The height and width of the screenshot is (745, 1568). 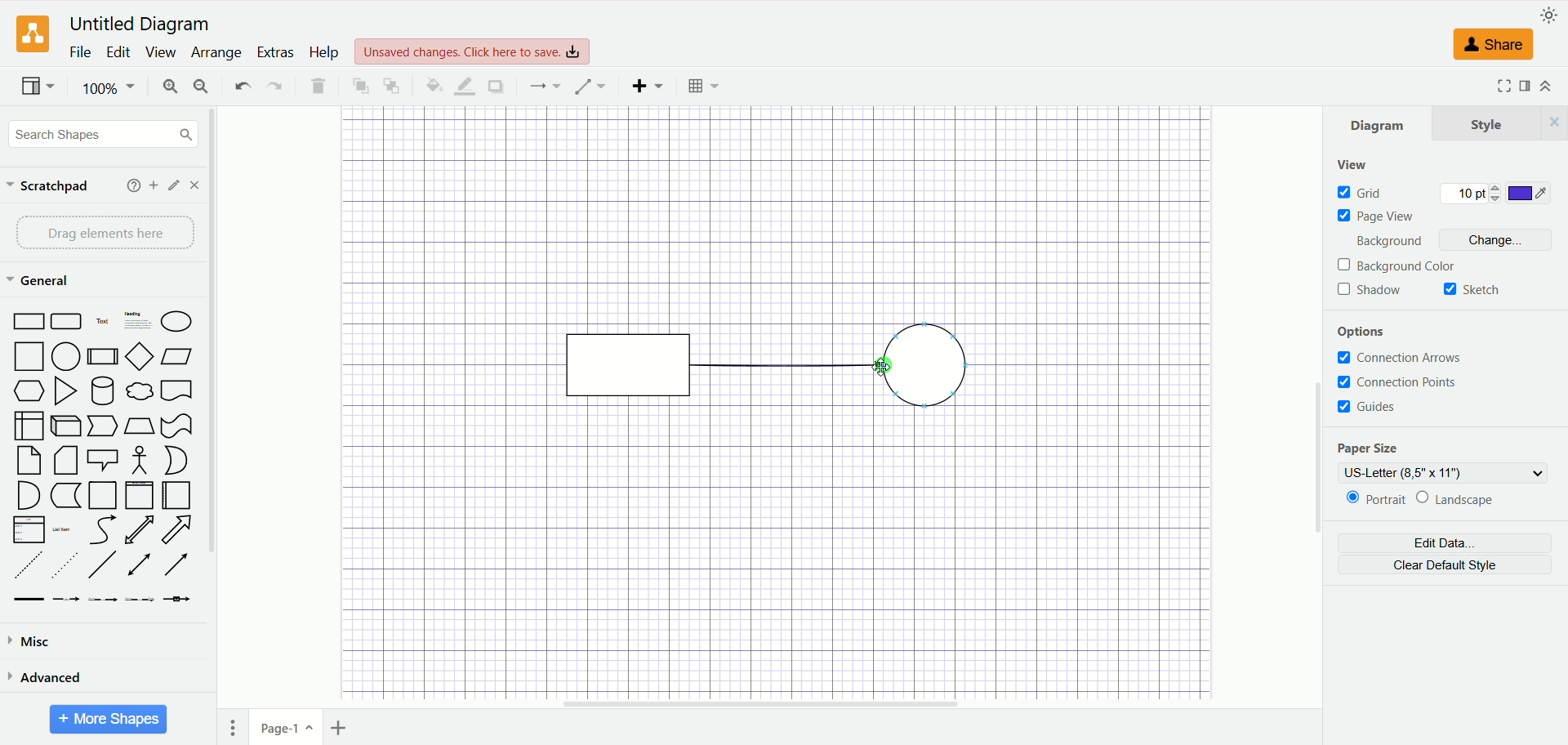 I want to click on vertical scroll bar, so click(x=1317, y=408).